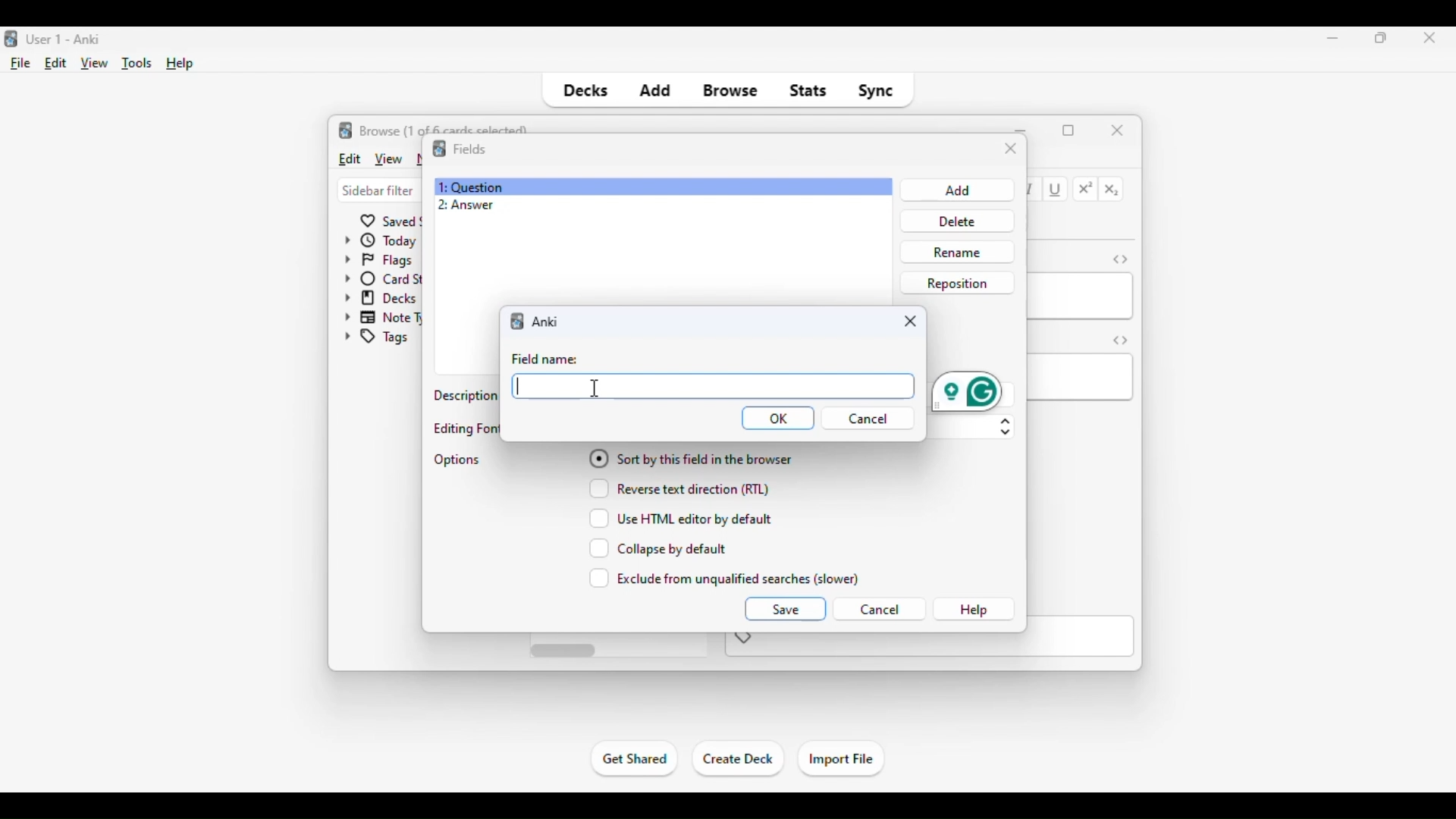  Describe the element at coordinates (470, 187) in the screenshot. I see `1: Question` at that location.